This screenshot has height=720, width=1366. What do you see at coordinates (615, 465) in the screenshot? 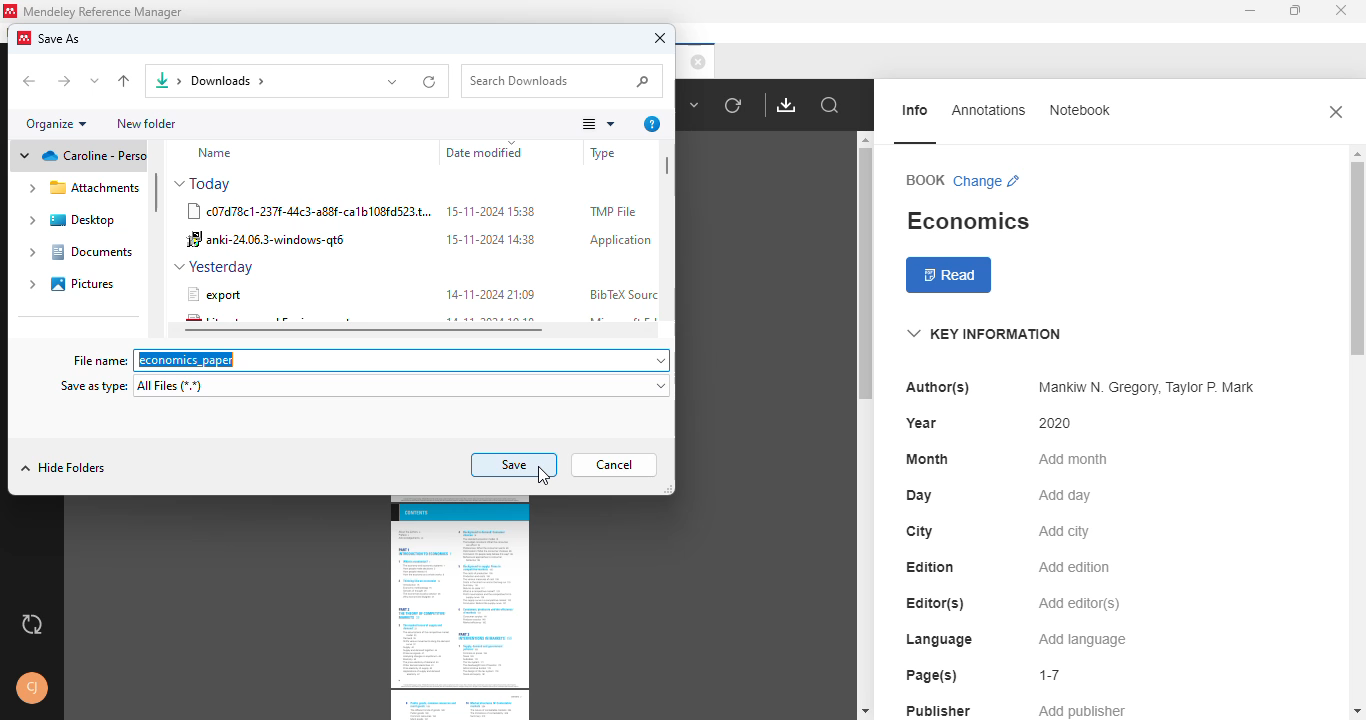
I see `cancel` at bounding box center [615, 465].